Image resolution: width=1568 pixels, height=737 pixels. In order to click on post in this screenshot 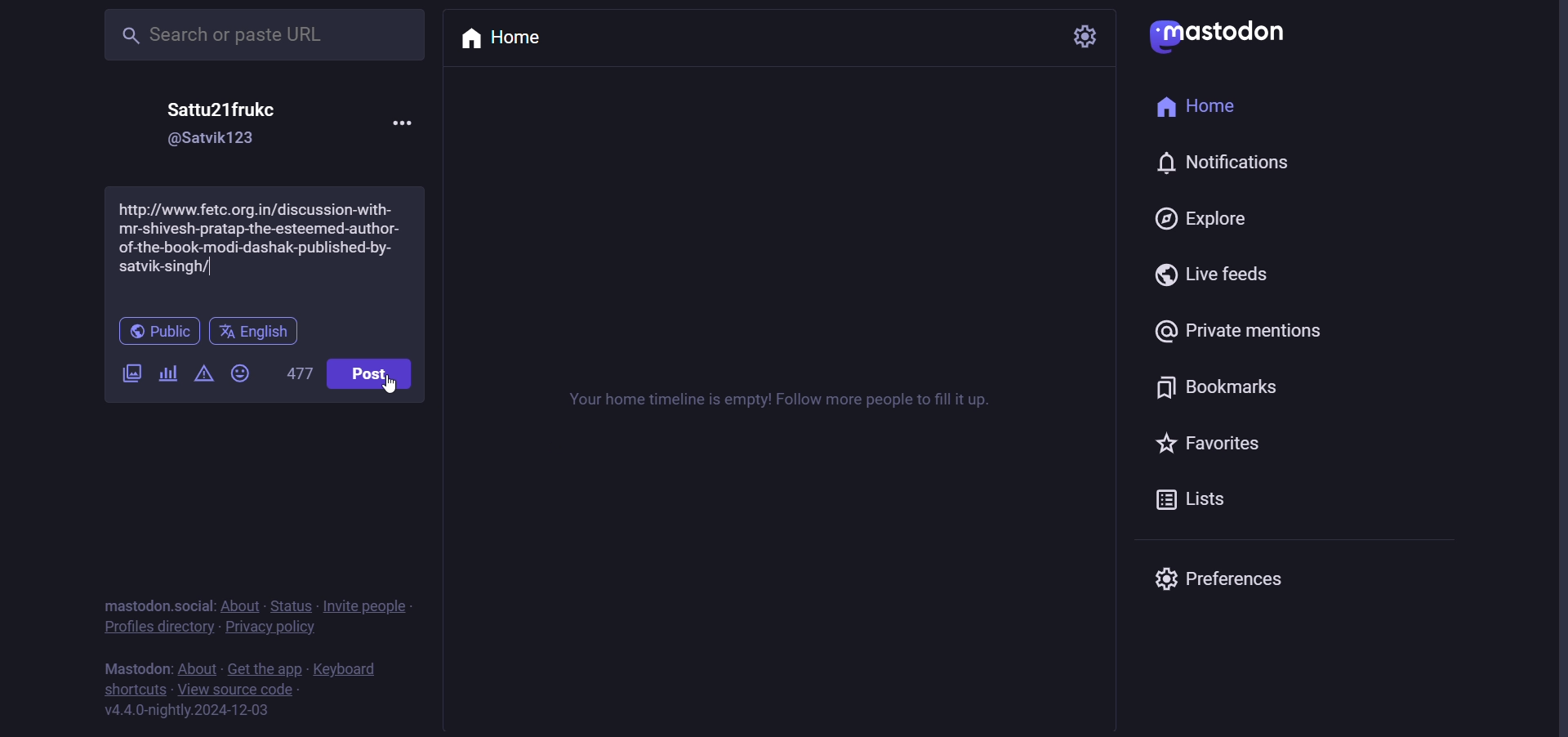, I will do `click(372, 368)`.